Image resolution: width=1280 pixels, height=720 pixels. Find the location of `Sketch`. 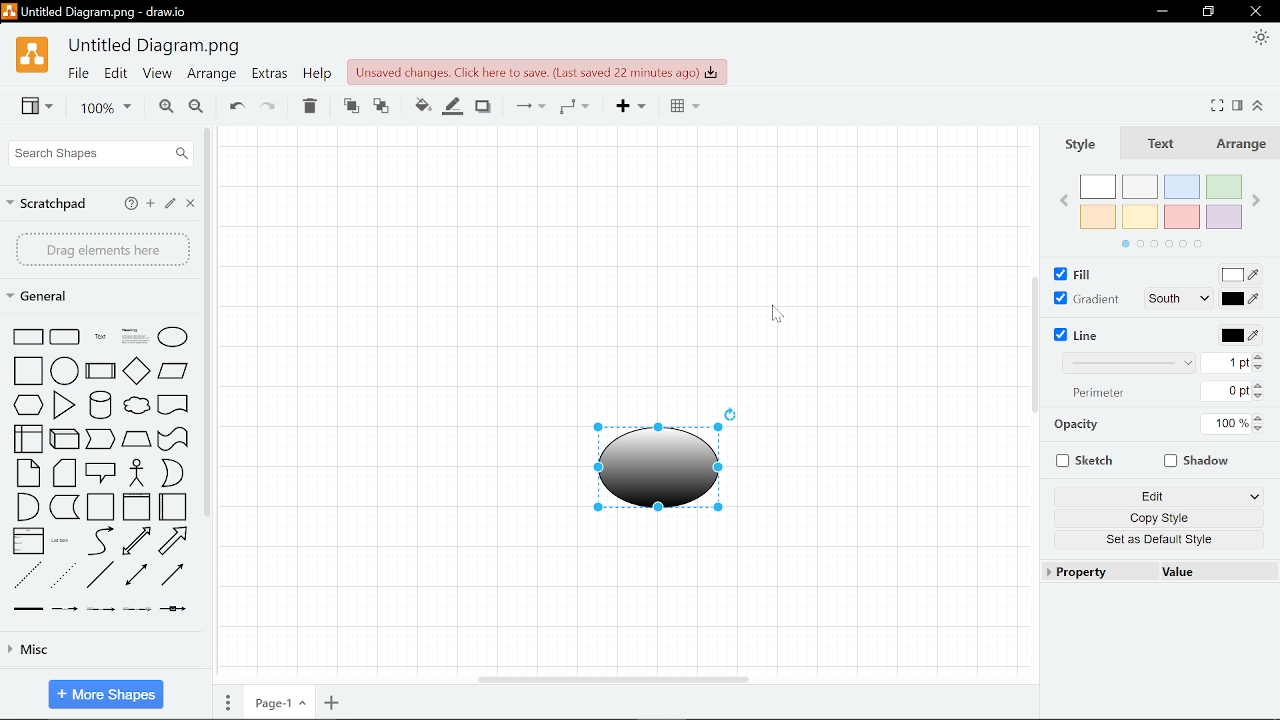

Sketch is located at coordinates (1085, 461).